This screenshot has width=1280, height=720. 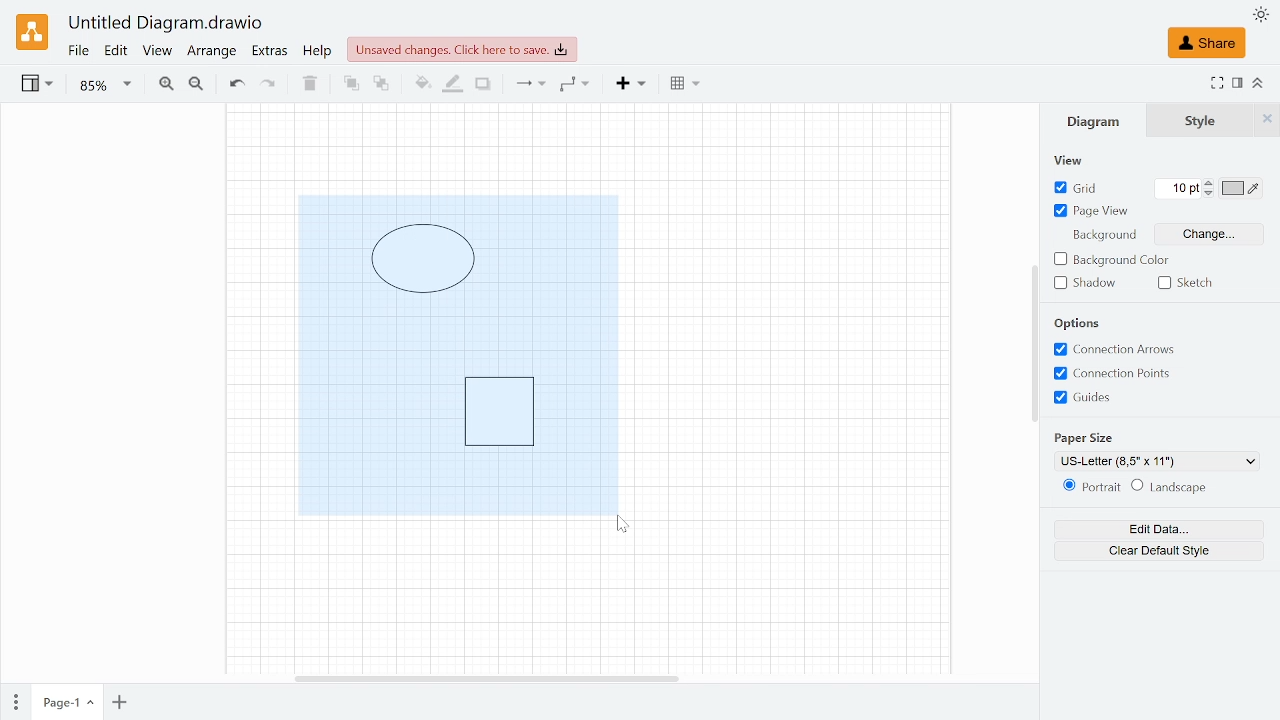 What do you see at coordinates (1206, 43) in the screenshot?
I see `Share` at bounding box center [1206, 43].